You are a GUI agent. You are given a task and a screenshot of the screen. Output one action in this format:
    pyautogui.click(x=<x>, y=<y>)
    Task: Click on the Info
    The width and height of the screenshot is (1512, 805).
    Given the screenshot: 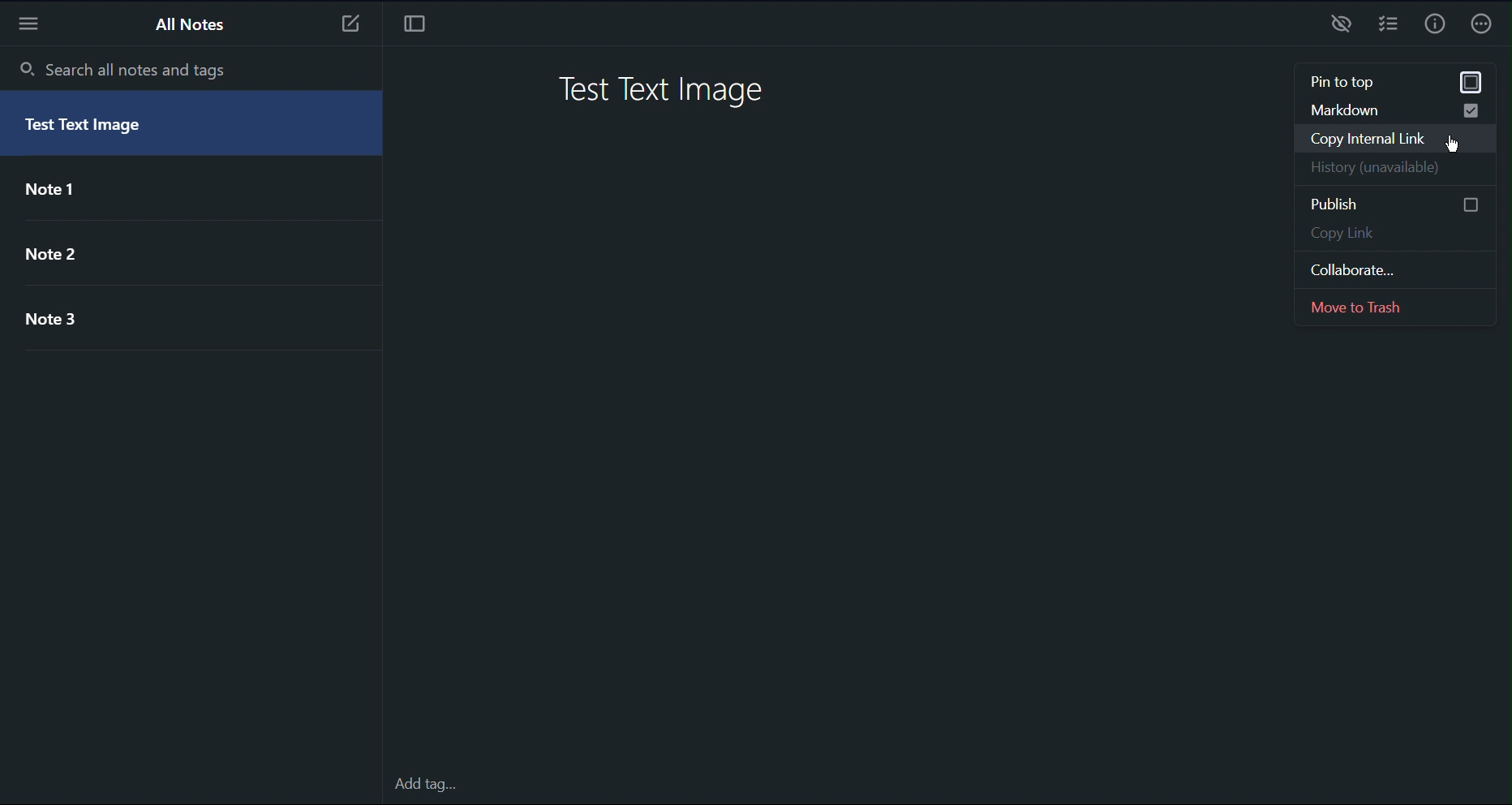 What is the action you would take?
    pyautogui.click(x=1432, y=26)
    